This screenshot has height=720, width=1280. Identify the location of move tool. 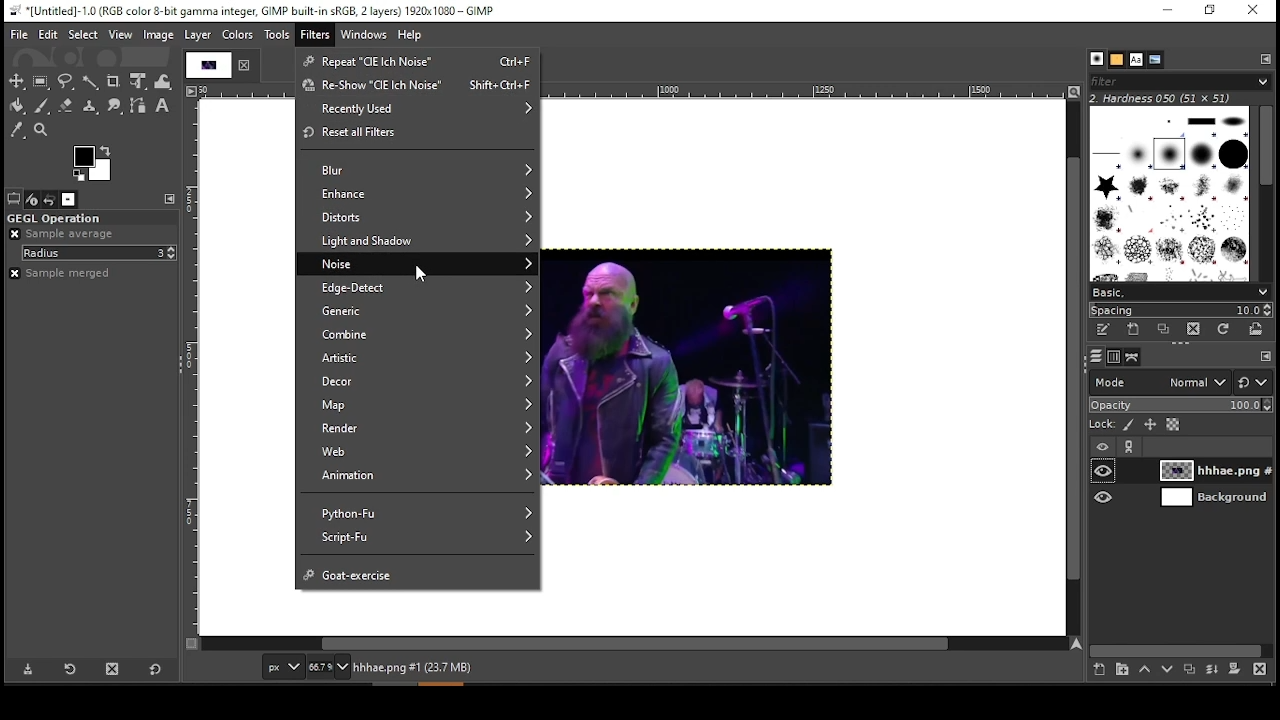
(17, 81).